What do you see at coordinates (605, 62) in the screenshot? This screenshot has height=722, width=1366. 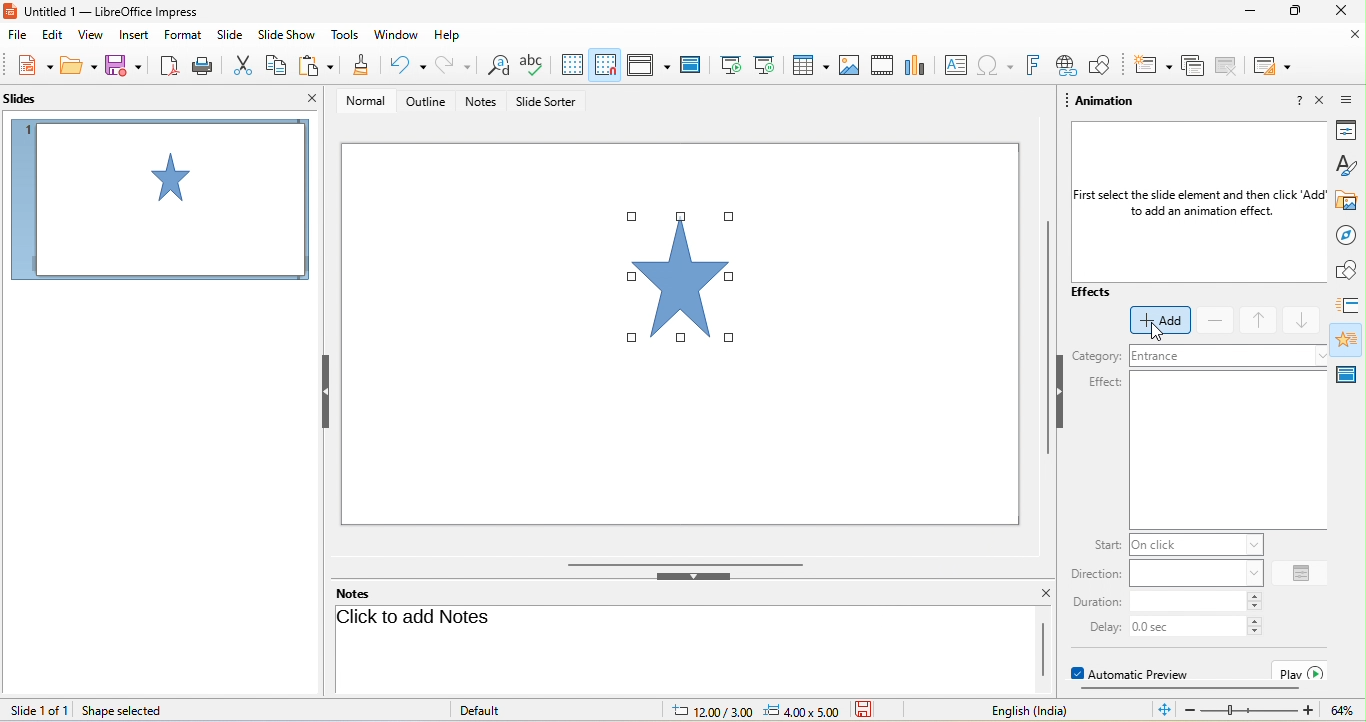 I see `snap to grid` at bounding box center [605, 62].